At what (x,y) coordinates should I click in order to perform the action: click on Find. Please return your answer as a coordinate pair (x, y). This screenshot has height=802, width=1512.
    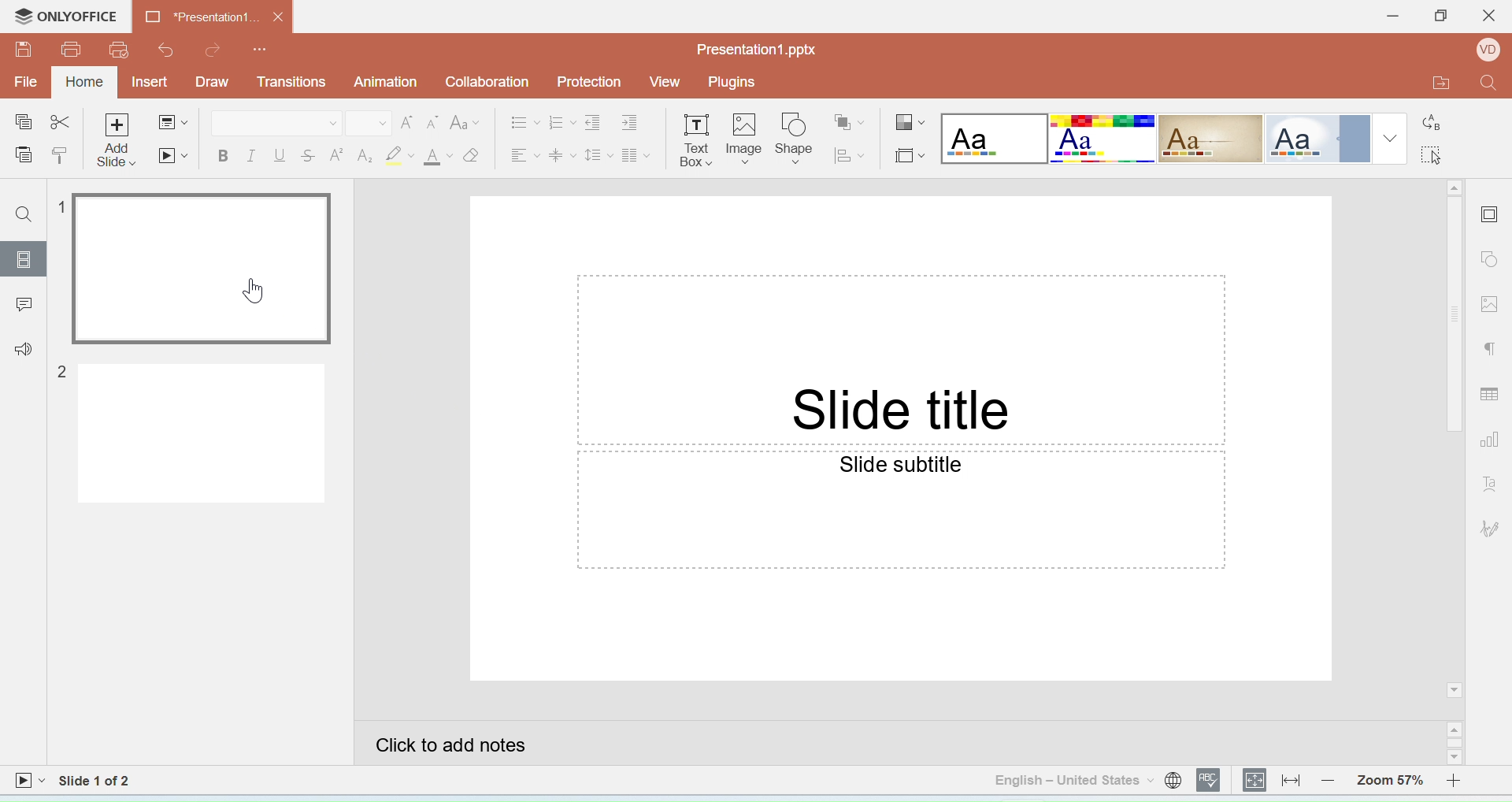
    Looking at the image, I should click on (1489, 87).